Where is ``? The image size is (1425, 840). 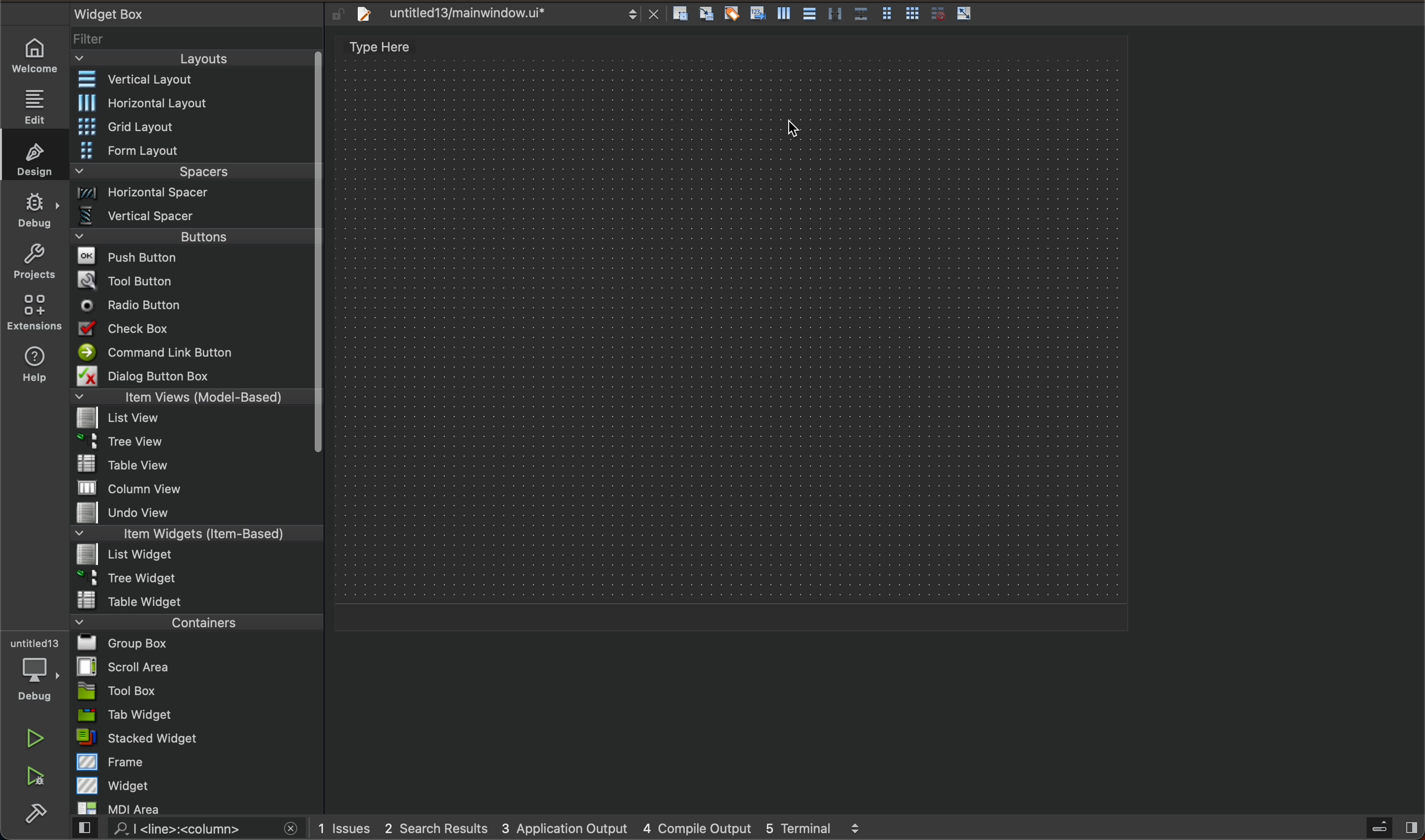  is located at coordinates (707, 13).